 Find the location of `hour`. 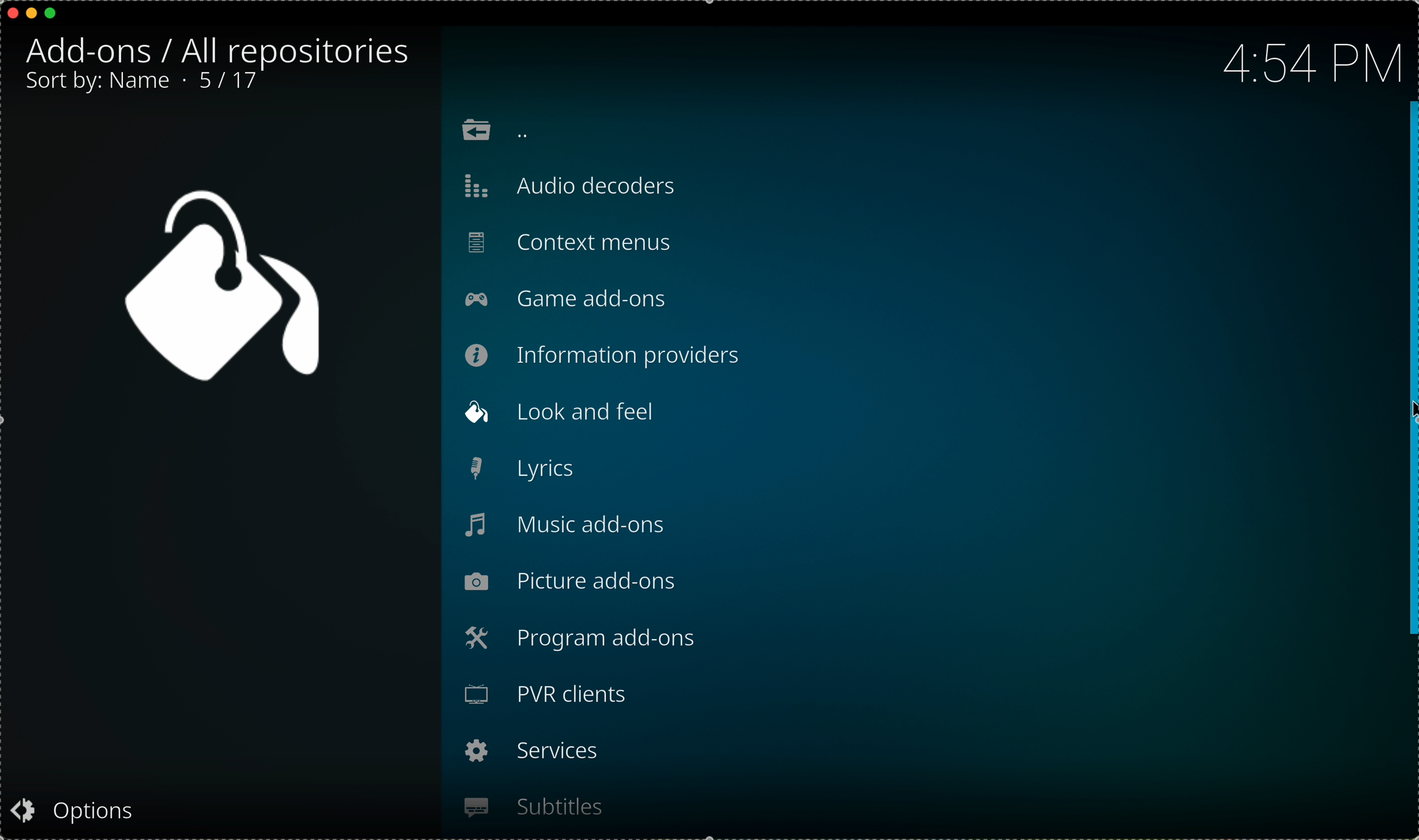

hour is located at coordinates (1310, 61).